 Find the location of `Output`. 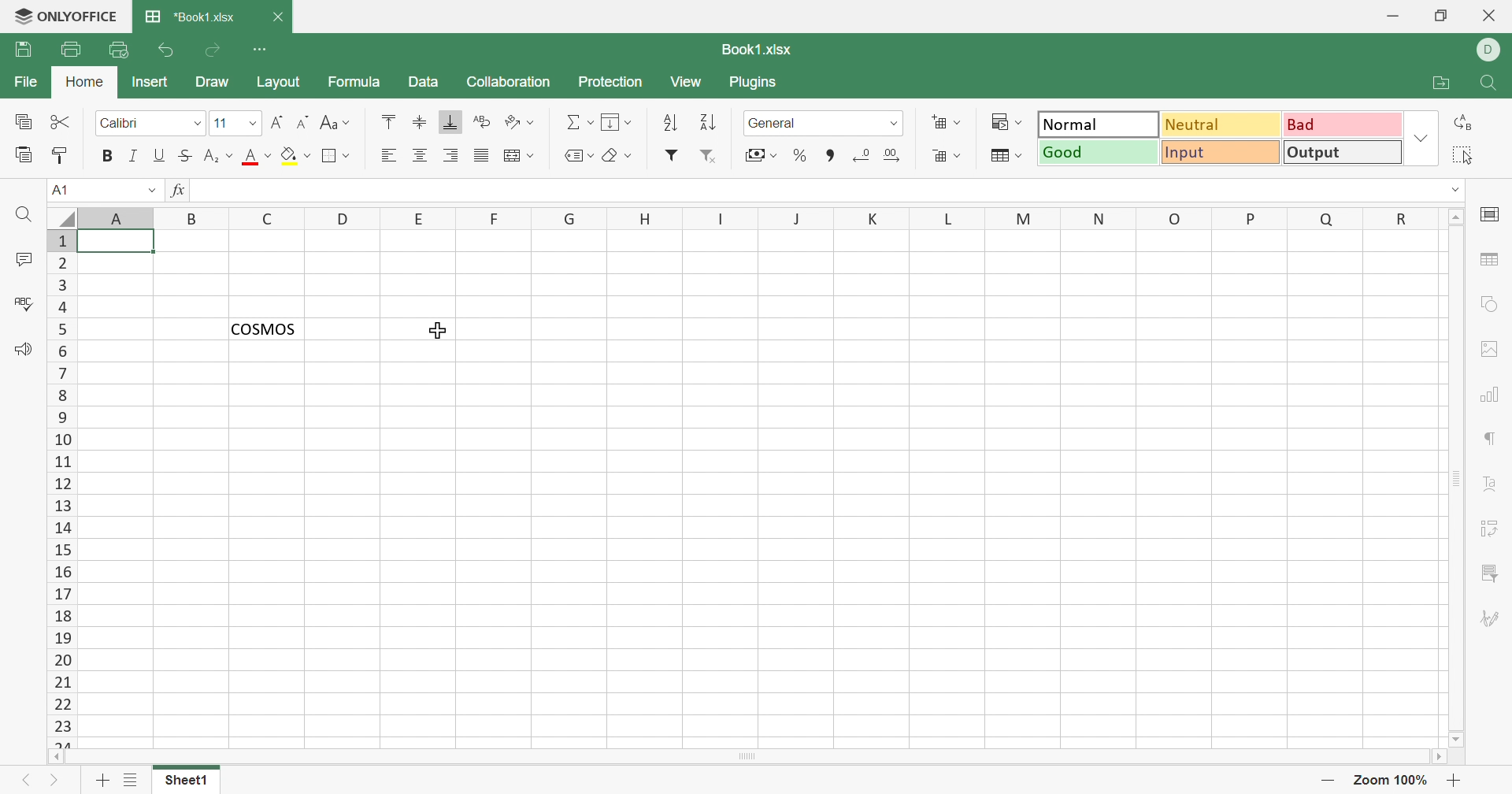

Output is located at coordinates (1341, 151).